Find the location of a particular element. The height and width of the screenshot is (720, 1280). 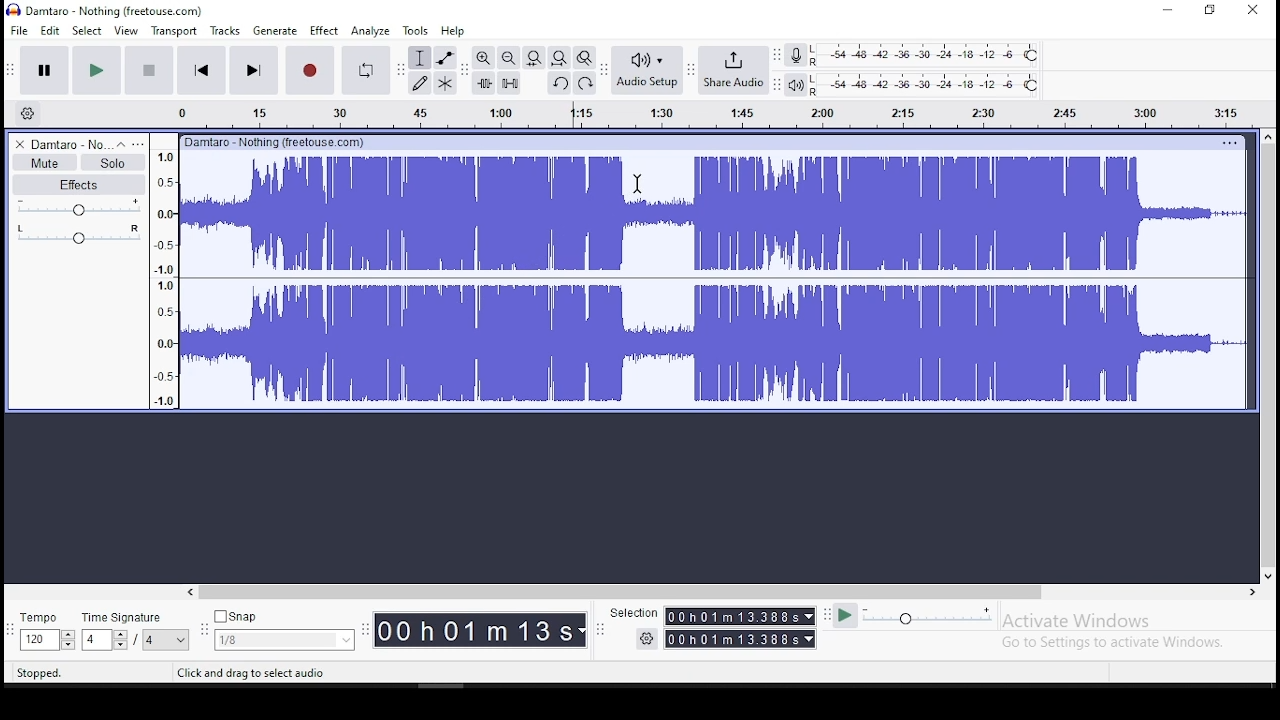

scroll right is located at coordinates (1251, 592).